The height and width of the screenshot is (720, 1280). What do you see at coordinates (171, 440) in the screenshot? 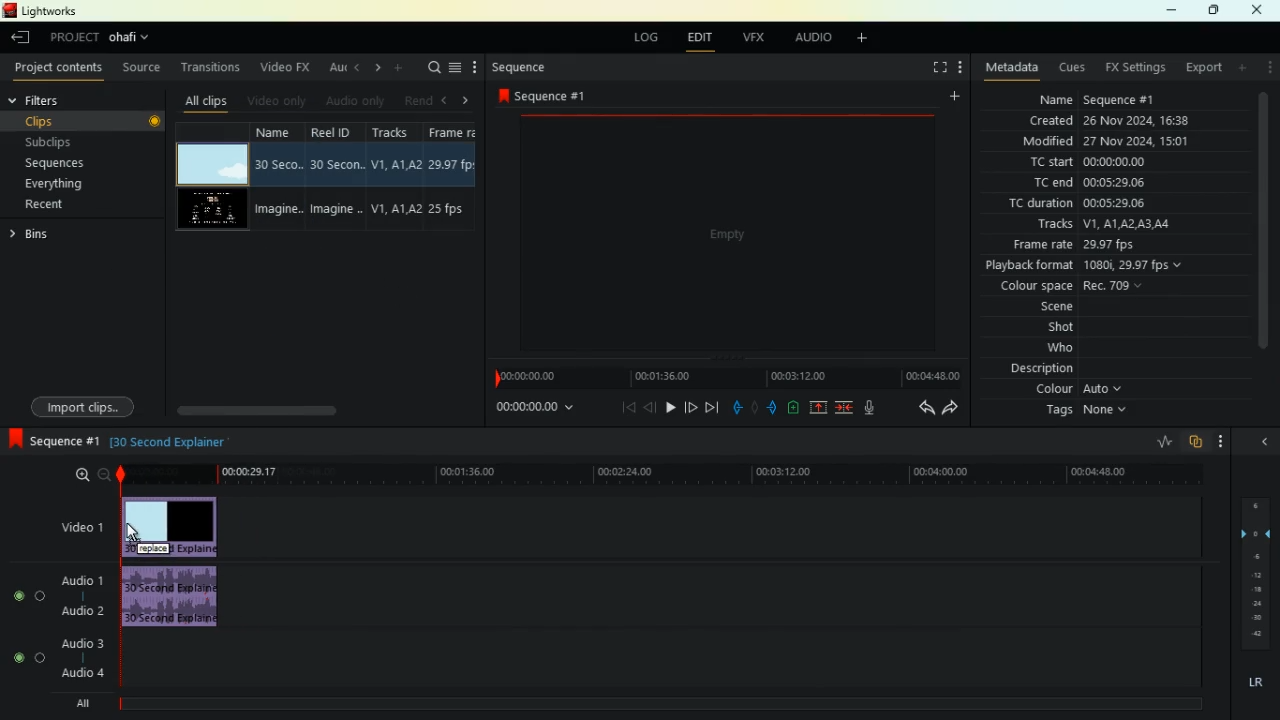
I see `30 second explainer` at bounding box center [171, 440].